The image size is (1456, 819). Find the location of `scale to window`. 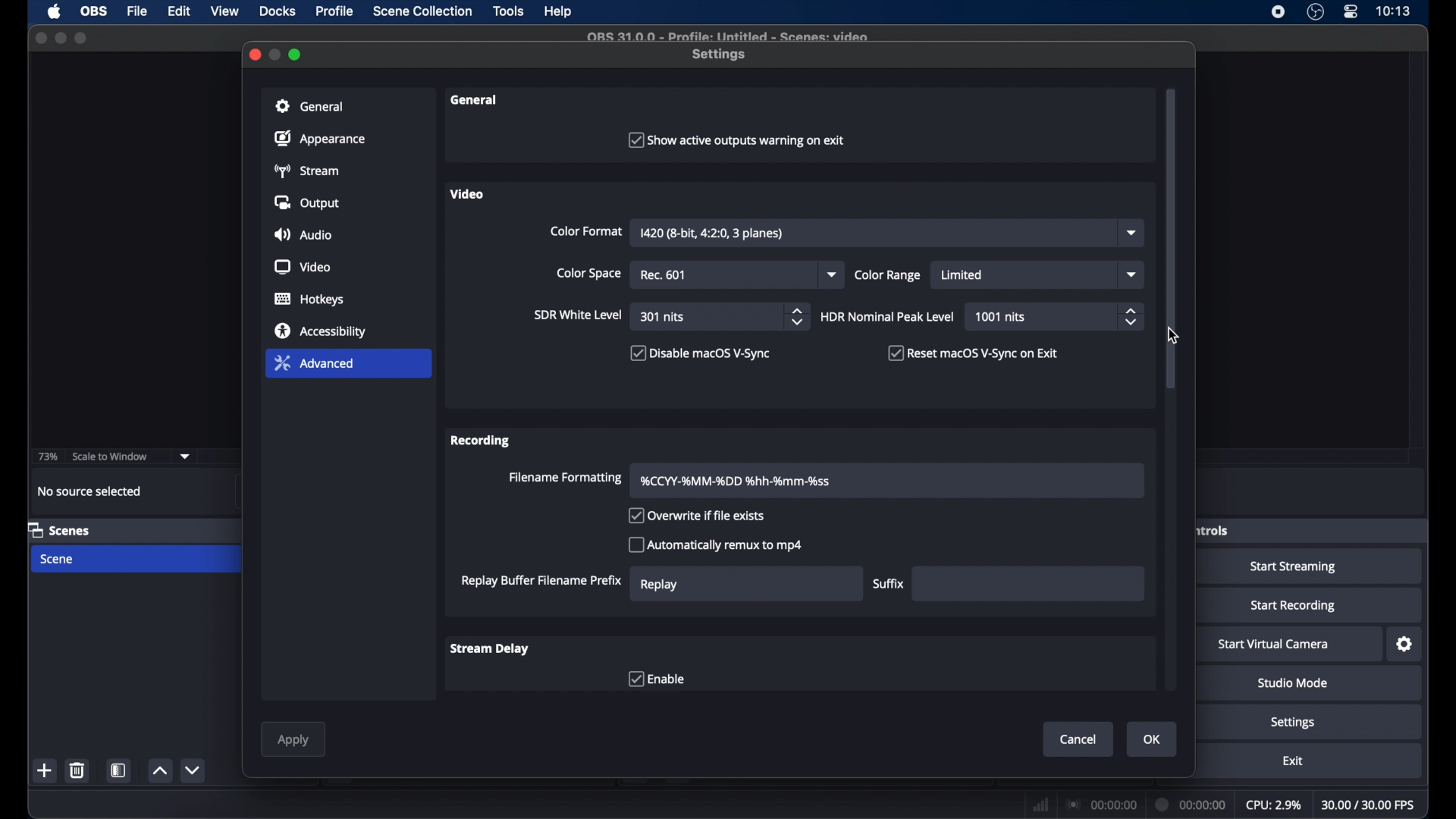

scale to window is located at coordinates (111, 456).